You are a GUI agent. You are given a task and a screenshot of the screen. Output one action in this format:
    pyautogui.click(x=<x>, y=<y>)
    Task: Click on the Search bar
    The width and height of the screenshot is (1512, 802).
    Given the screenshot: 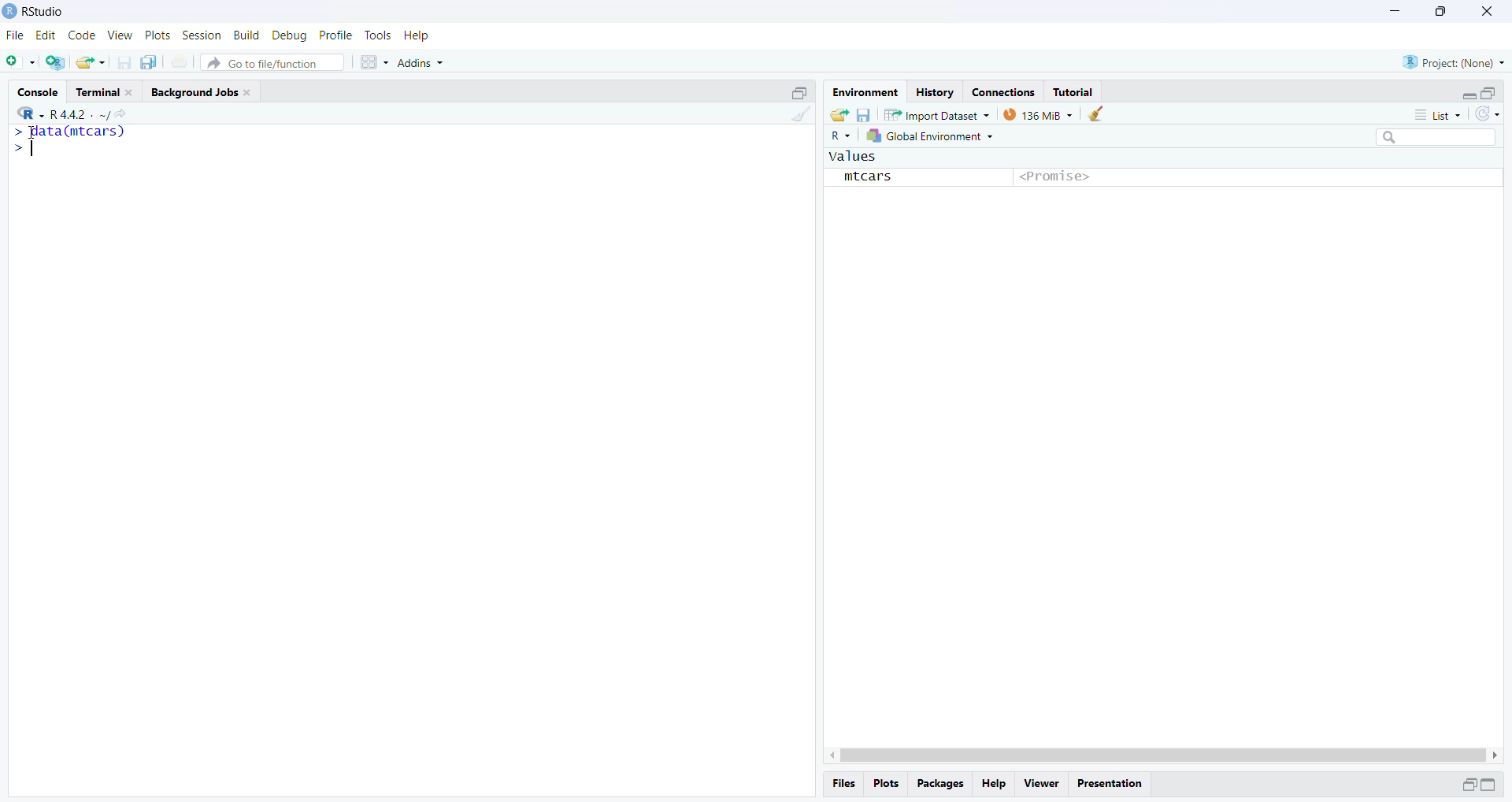 What is the action you would take?
    pyautogui.click(x=1443, y=139)
    